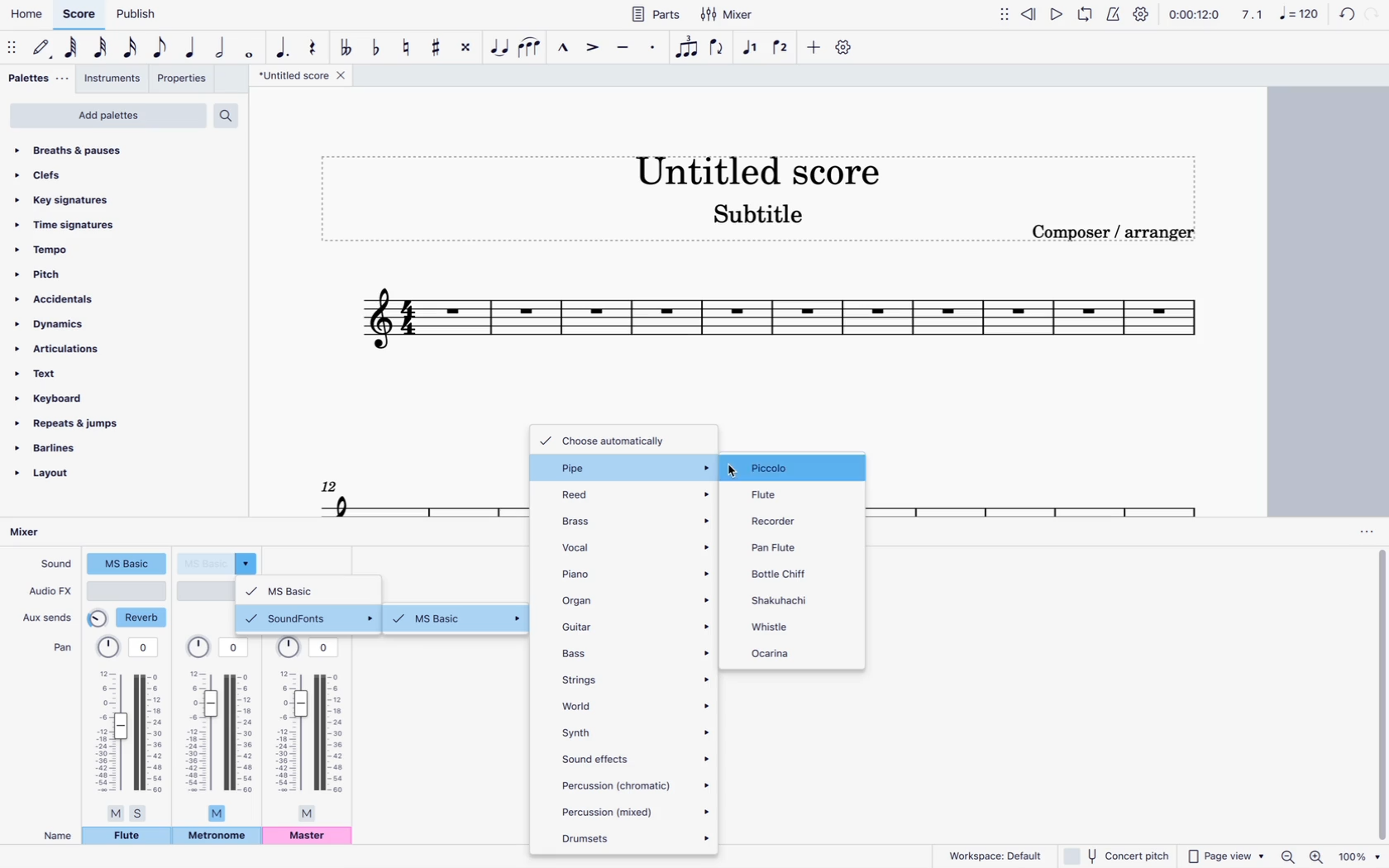 This screenshot has width=1389, height=868. What do you see at coordinates (632, 838) in the screenshot?
I see `drumsets` at bounding box center [632, 838].